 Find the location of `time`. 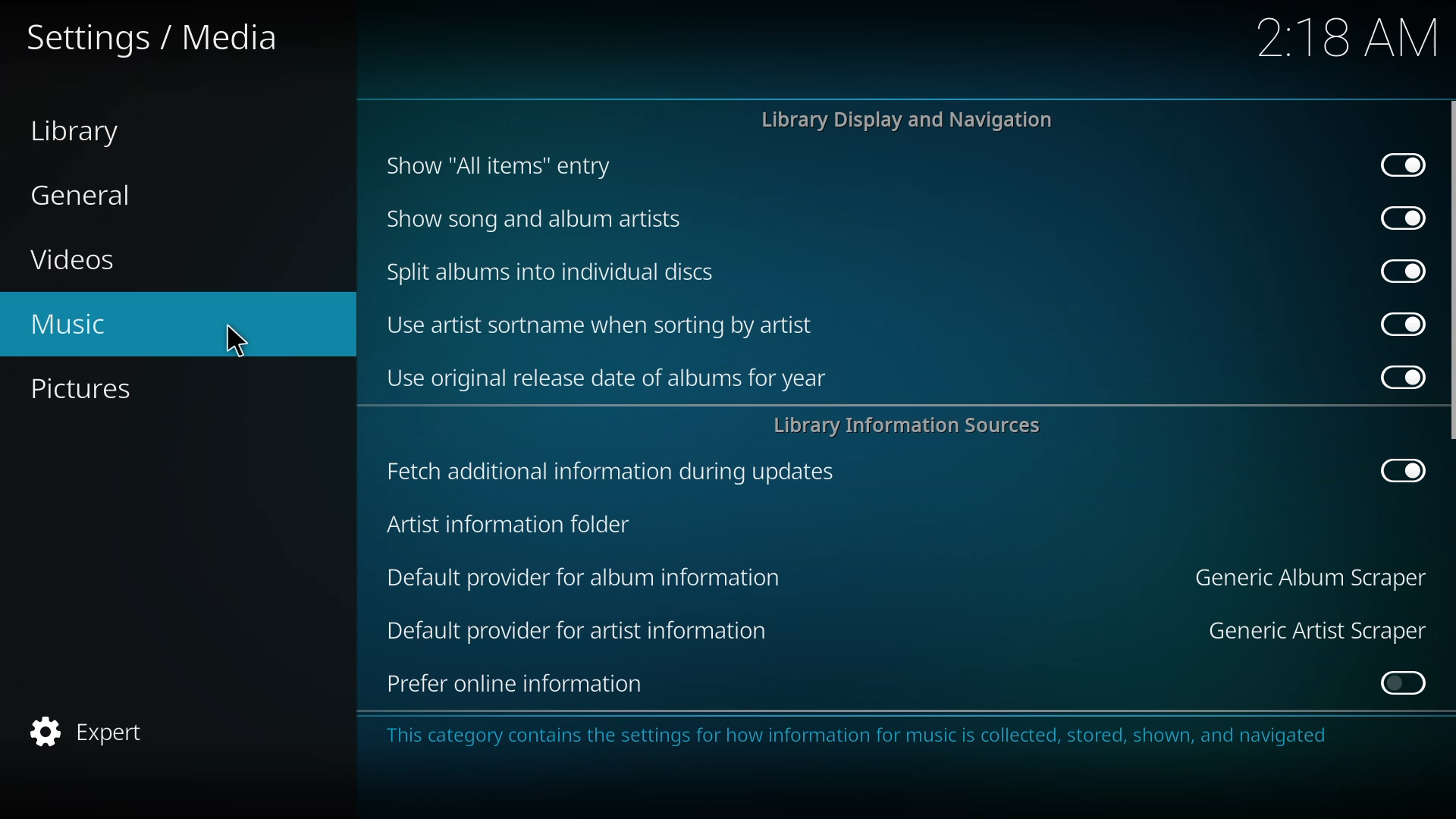

time is located at coordinates (1347, 38).